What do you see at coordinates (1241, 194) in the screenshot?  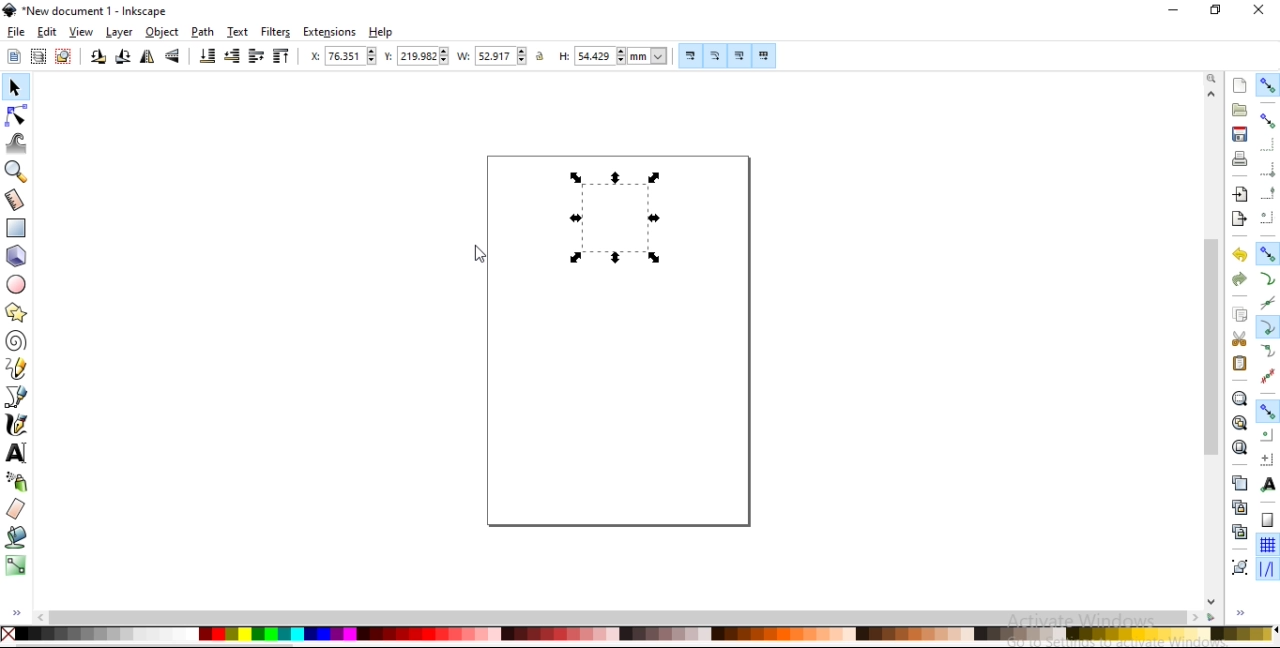 I see `import a bitmap` at bounding box center [1241, 194].